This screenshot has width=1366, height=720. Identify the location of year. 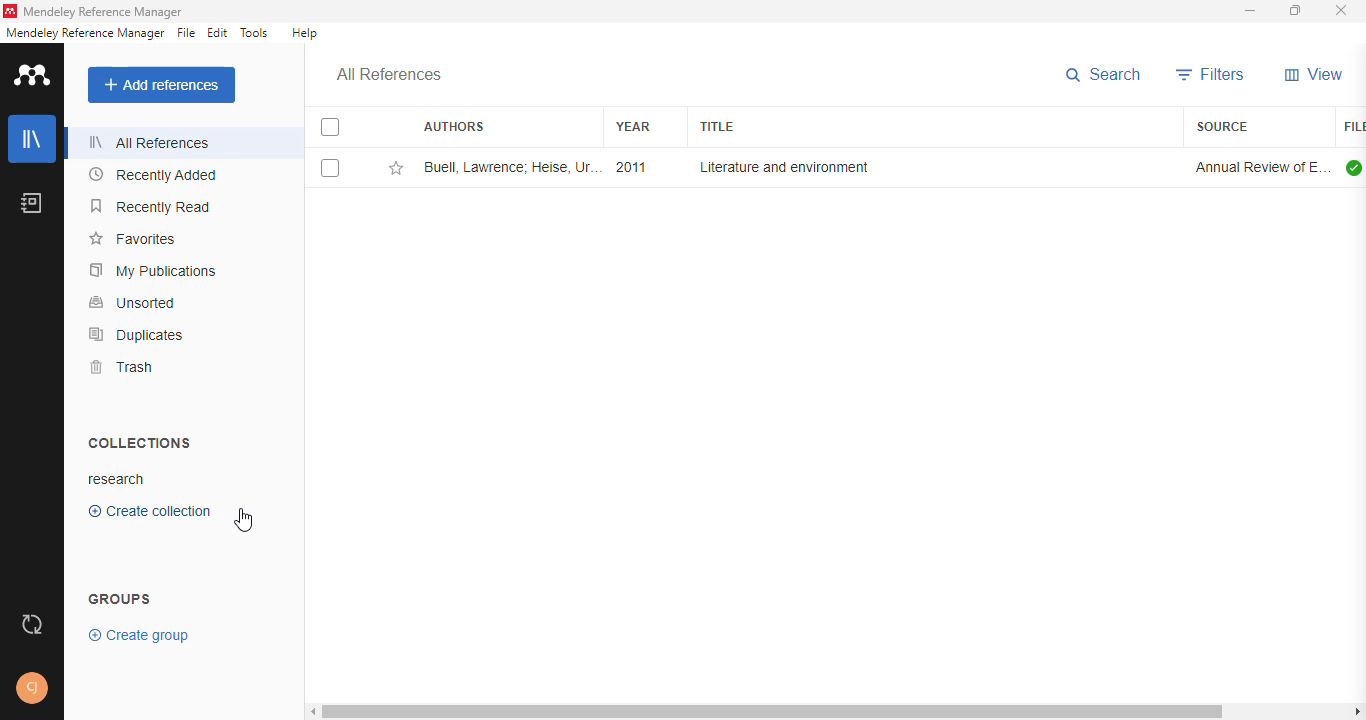
(633, 126).